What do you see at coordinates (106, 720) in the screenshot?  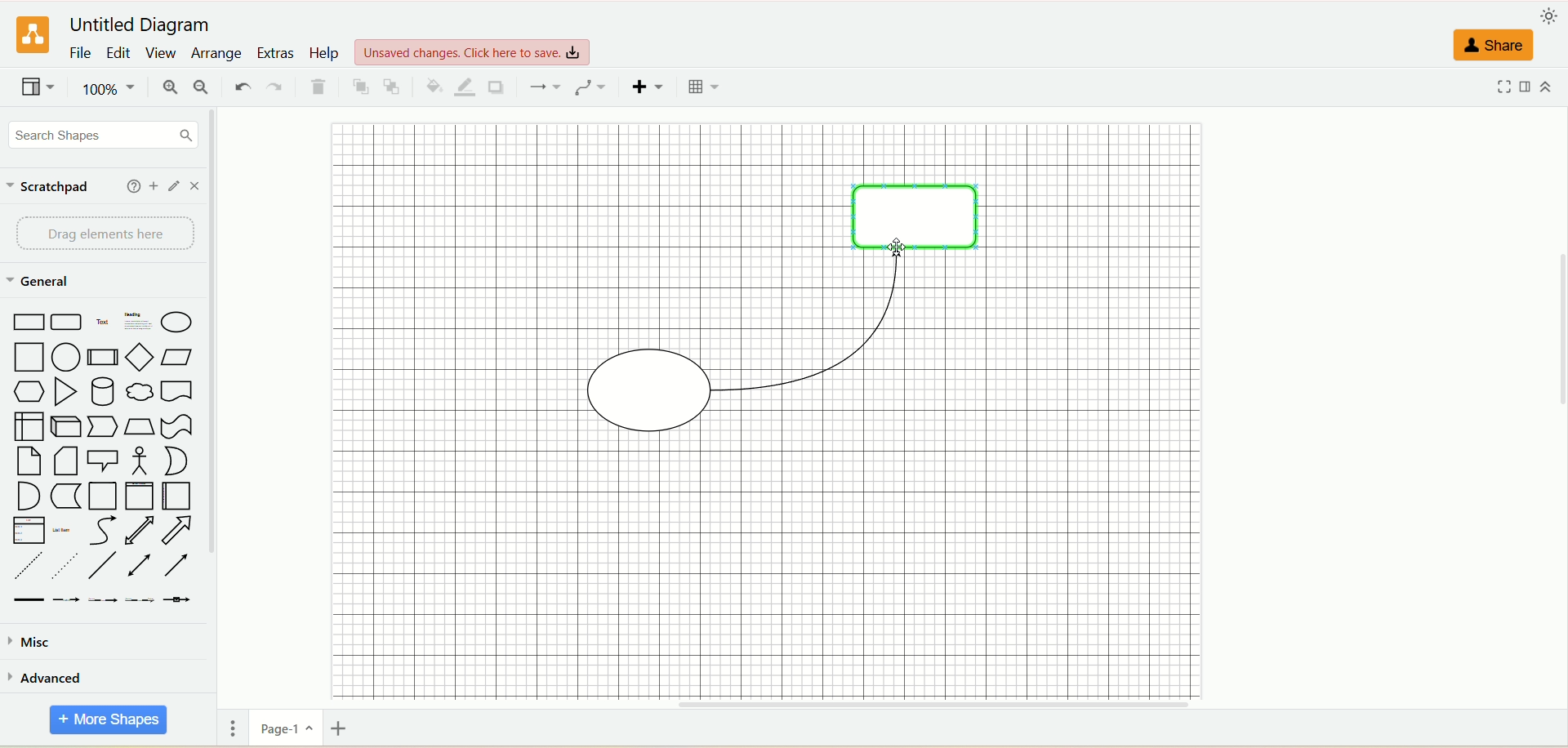 I see `more shapes` at bounding box center [106, 720].